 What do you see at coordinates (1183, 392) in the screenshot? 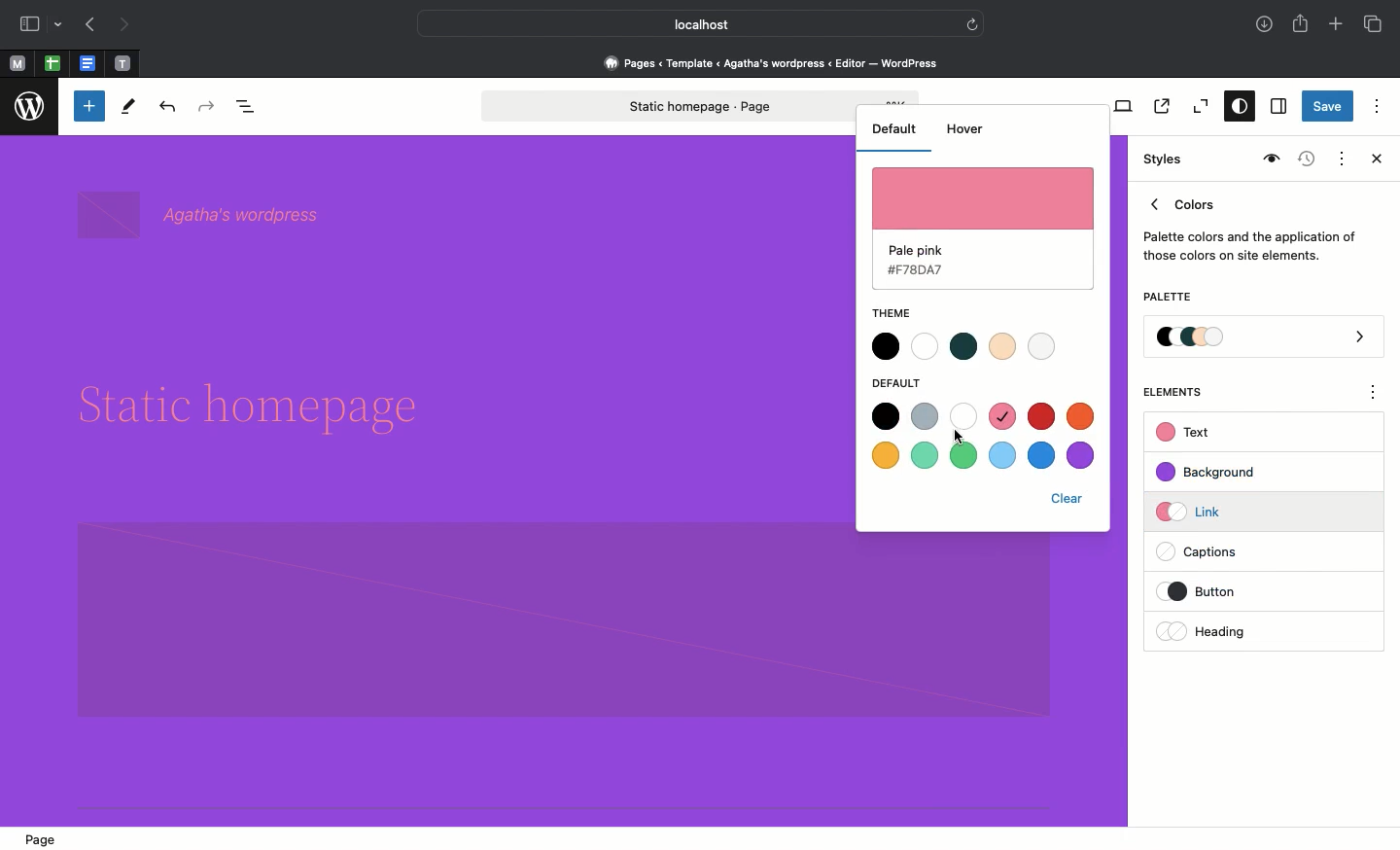
I see `Elements` at bounding box center [1183, 392].